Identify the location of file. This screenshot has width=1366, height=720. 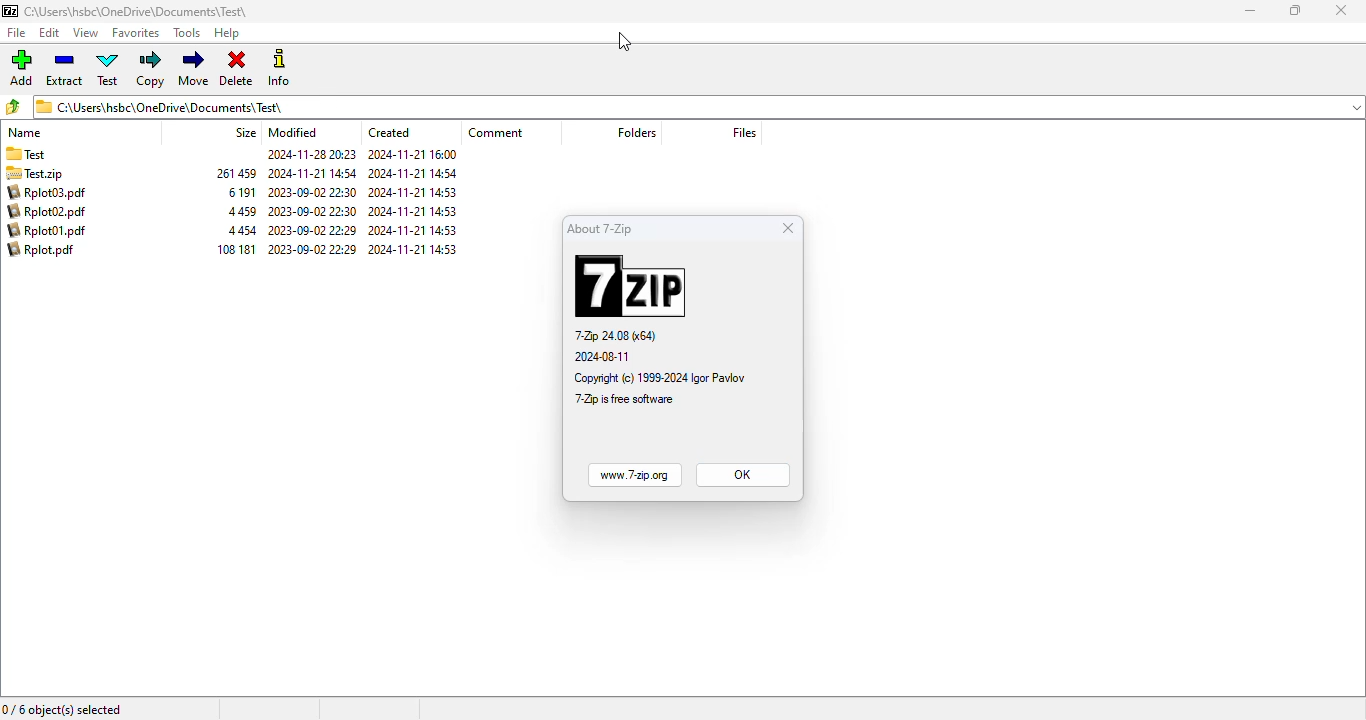
(17, 33).